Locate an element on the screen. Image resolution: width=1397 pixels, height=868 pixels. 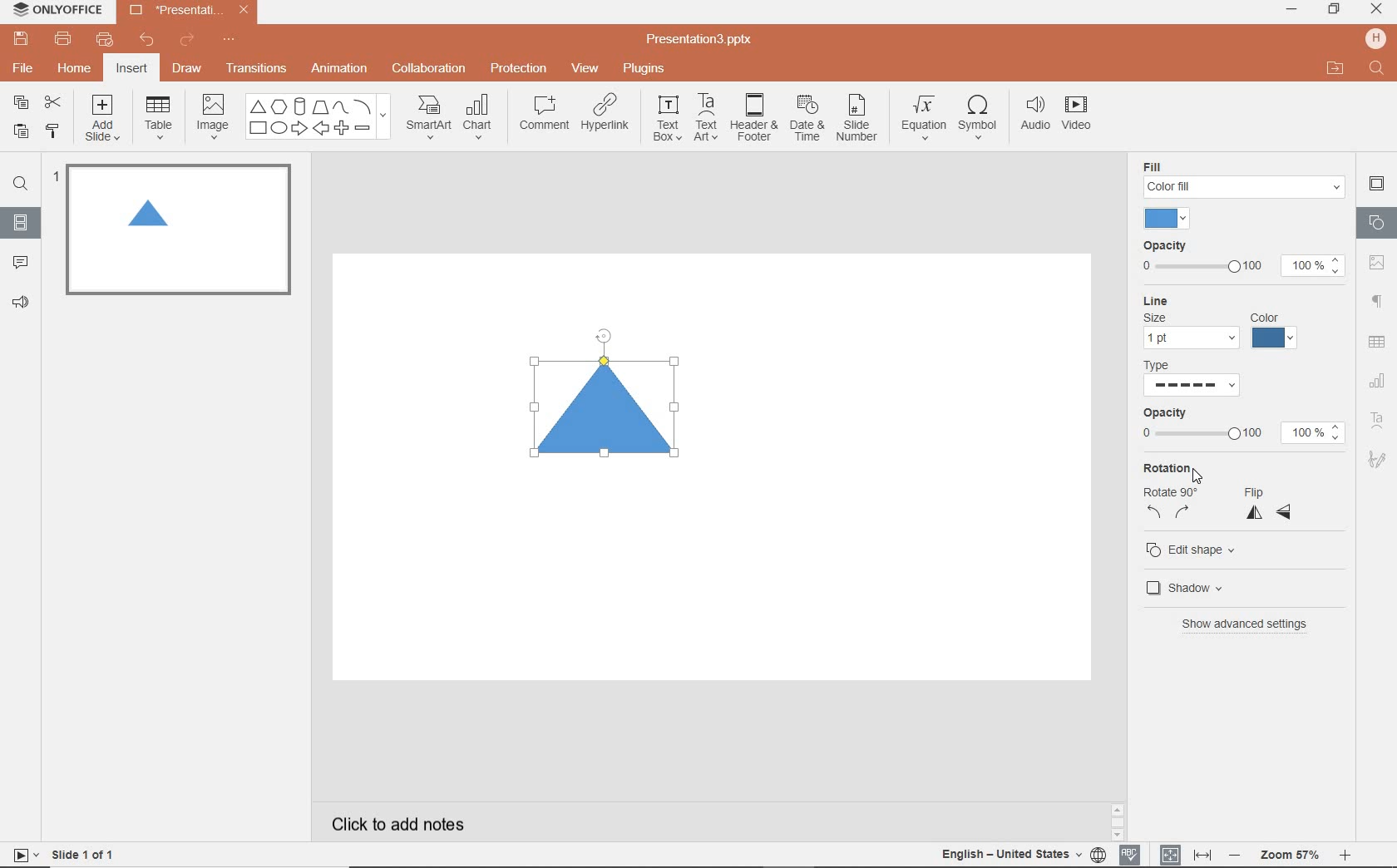
VIEW is located at coordinates (586, 70).